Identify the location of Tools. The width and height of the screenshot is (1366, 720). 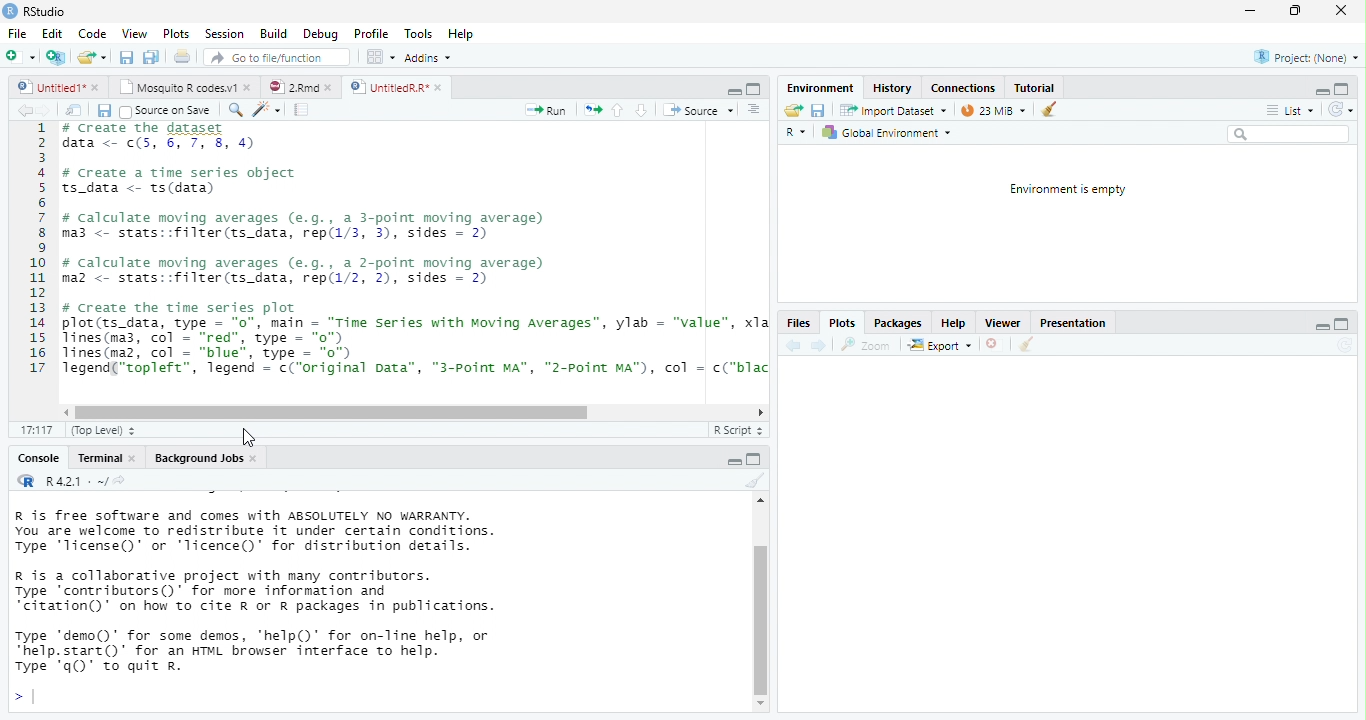
(419, 33).